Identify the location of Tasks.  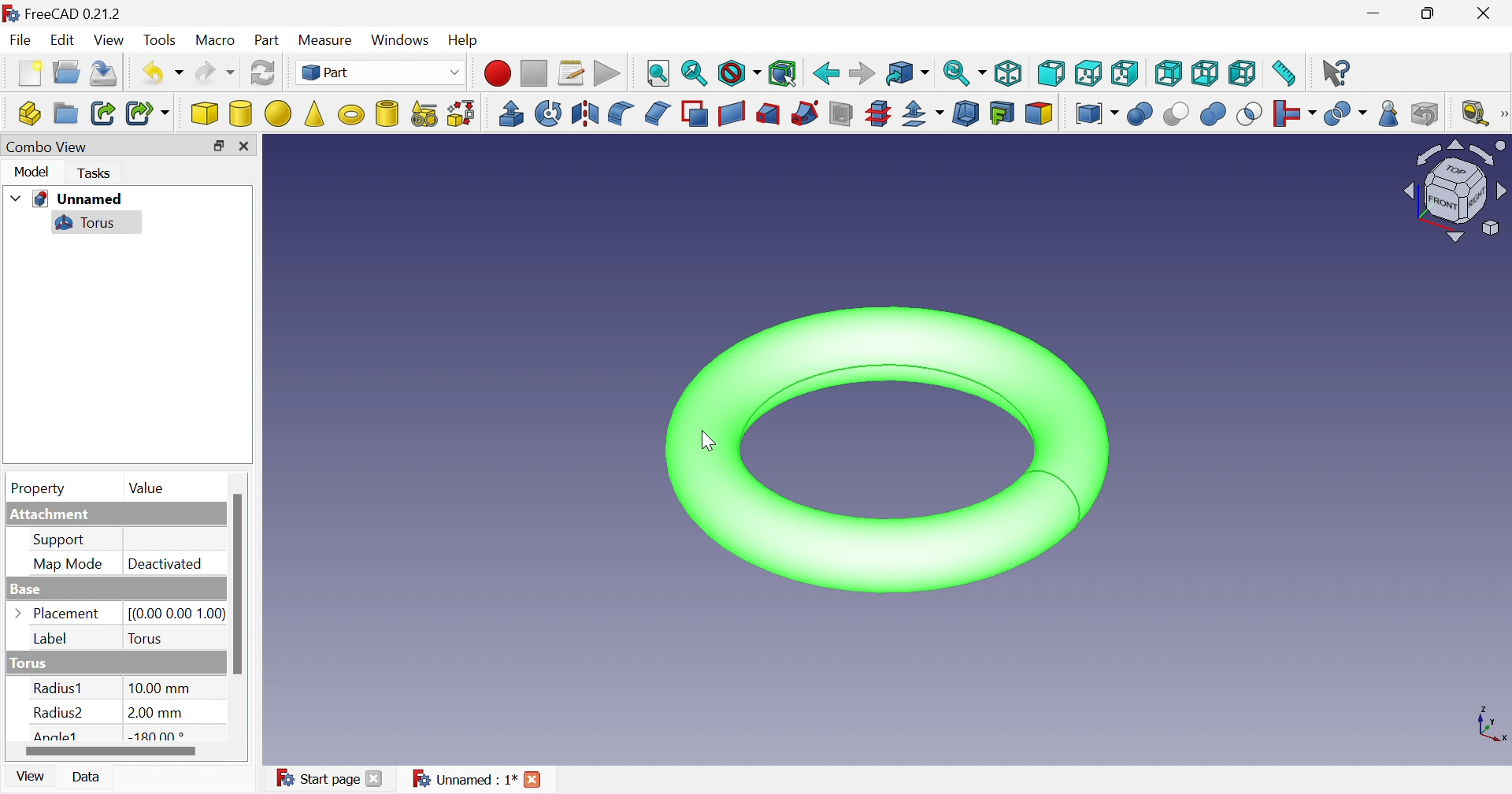
(92, 174).